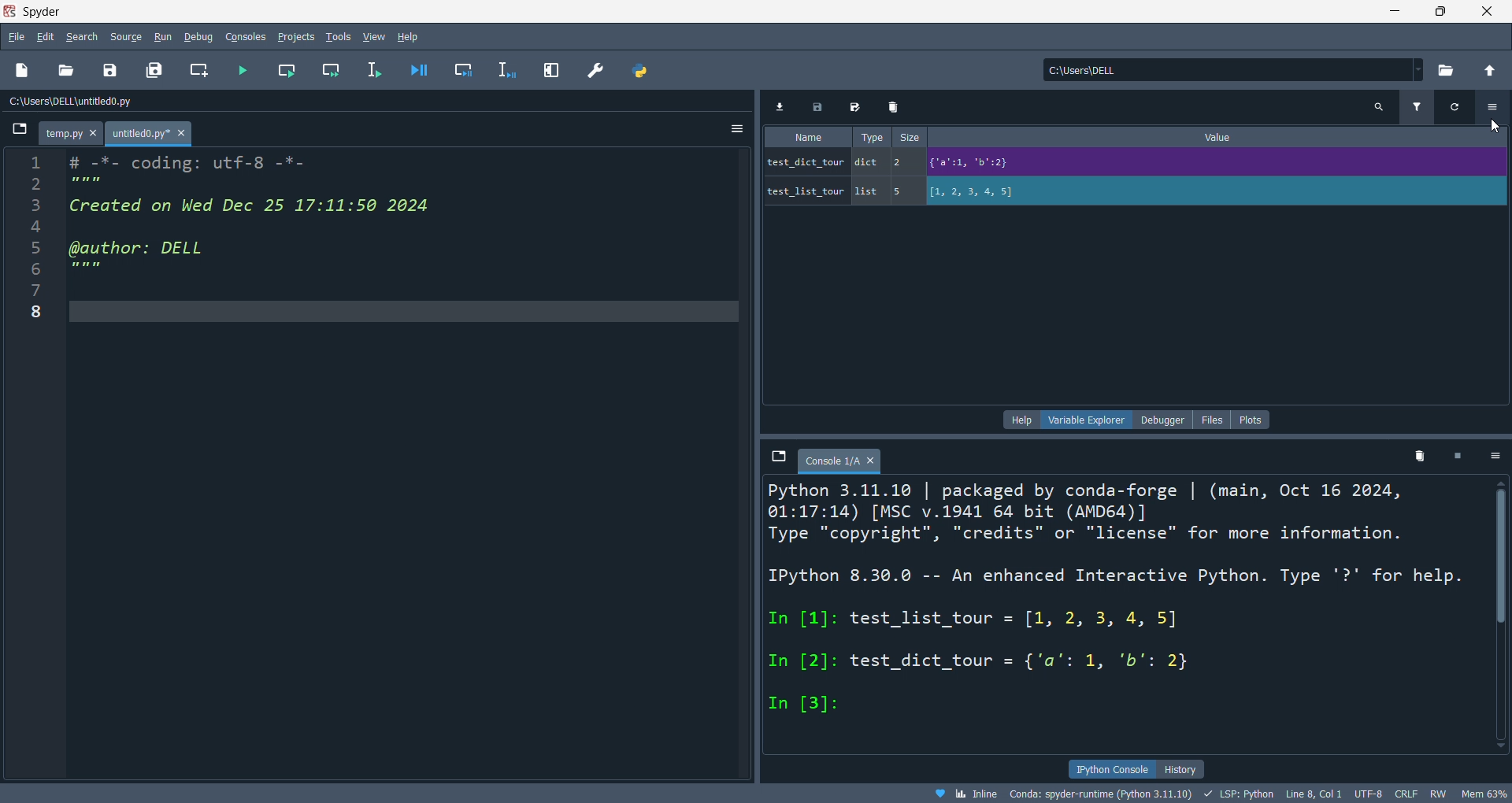 Image resolution: width=1512 pixels, height=803 pixels. I want to click on debug, so click(198, 36).